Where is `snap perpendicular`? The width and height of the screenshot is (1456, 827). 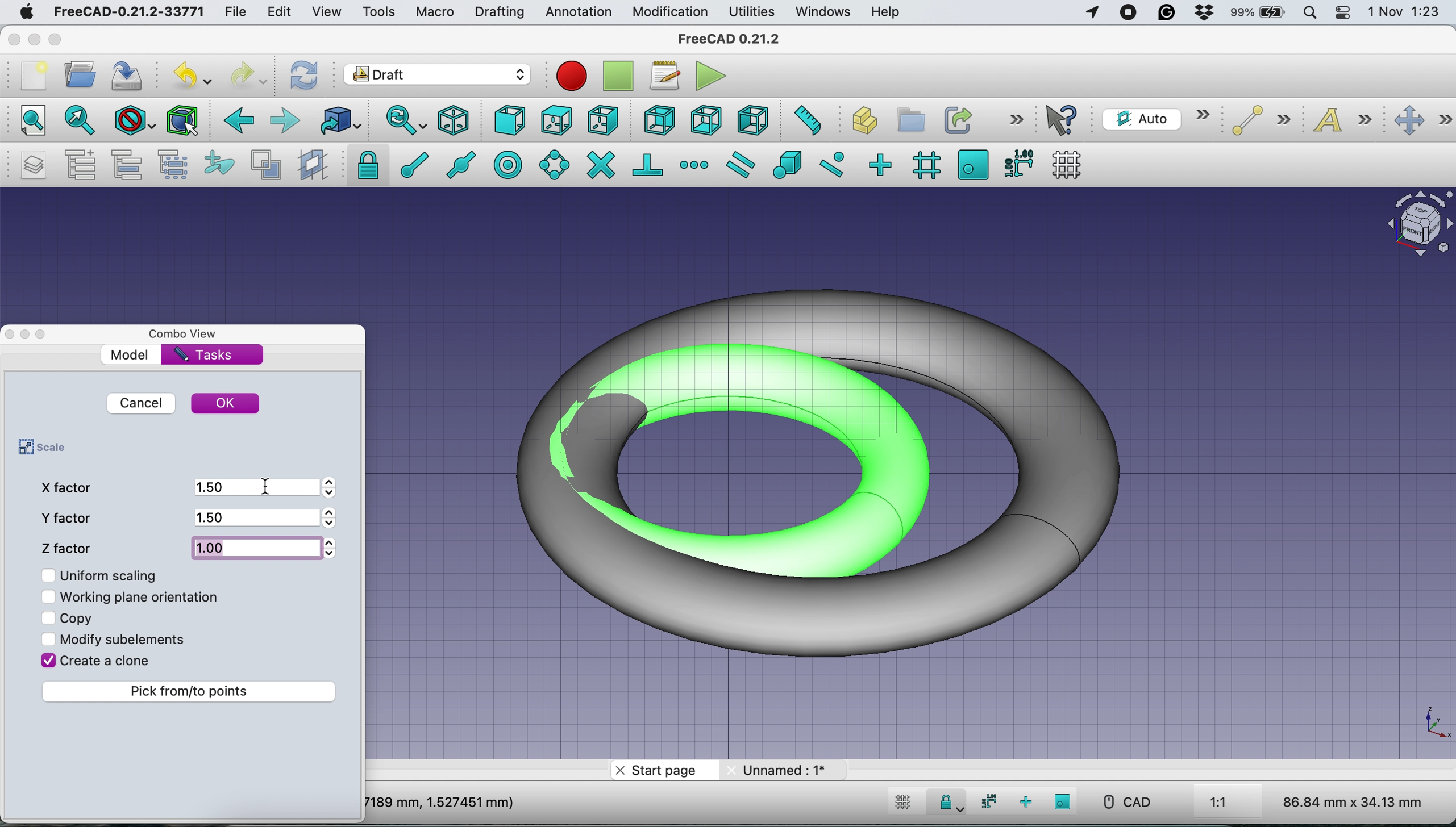 snap perpendicular is located at coordinates (648, 164).